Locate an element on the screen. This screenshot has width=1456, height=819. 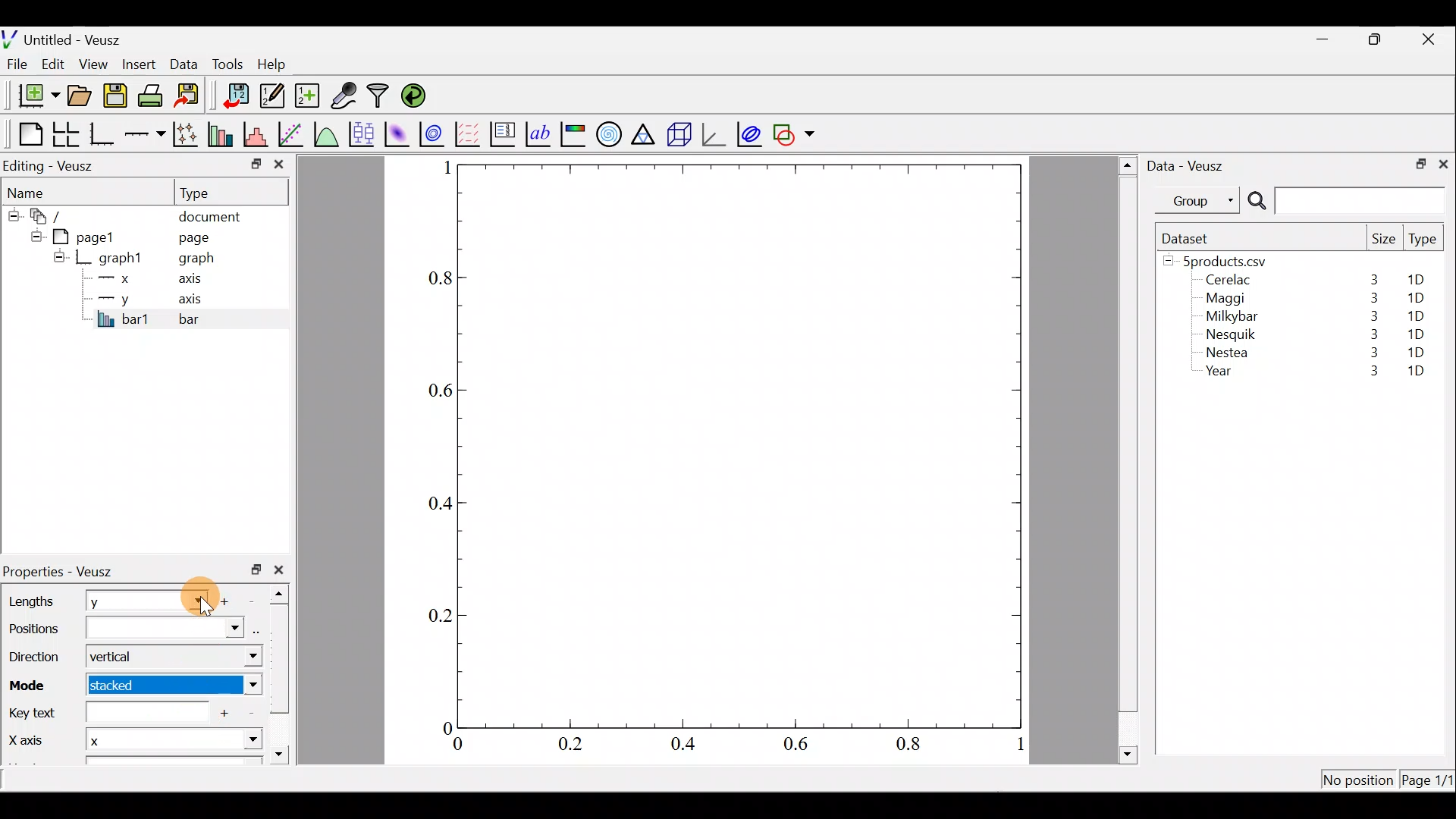
restore down is located at coordinates (1377, 39).